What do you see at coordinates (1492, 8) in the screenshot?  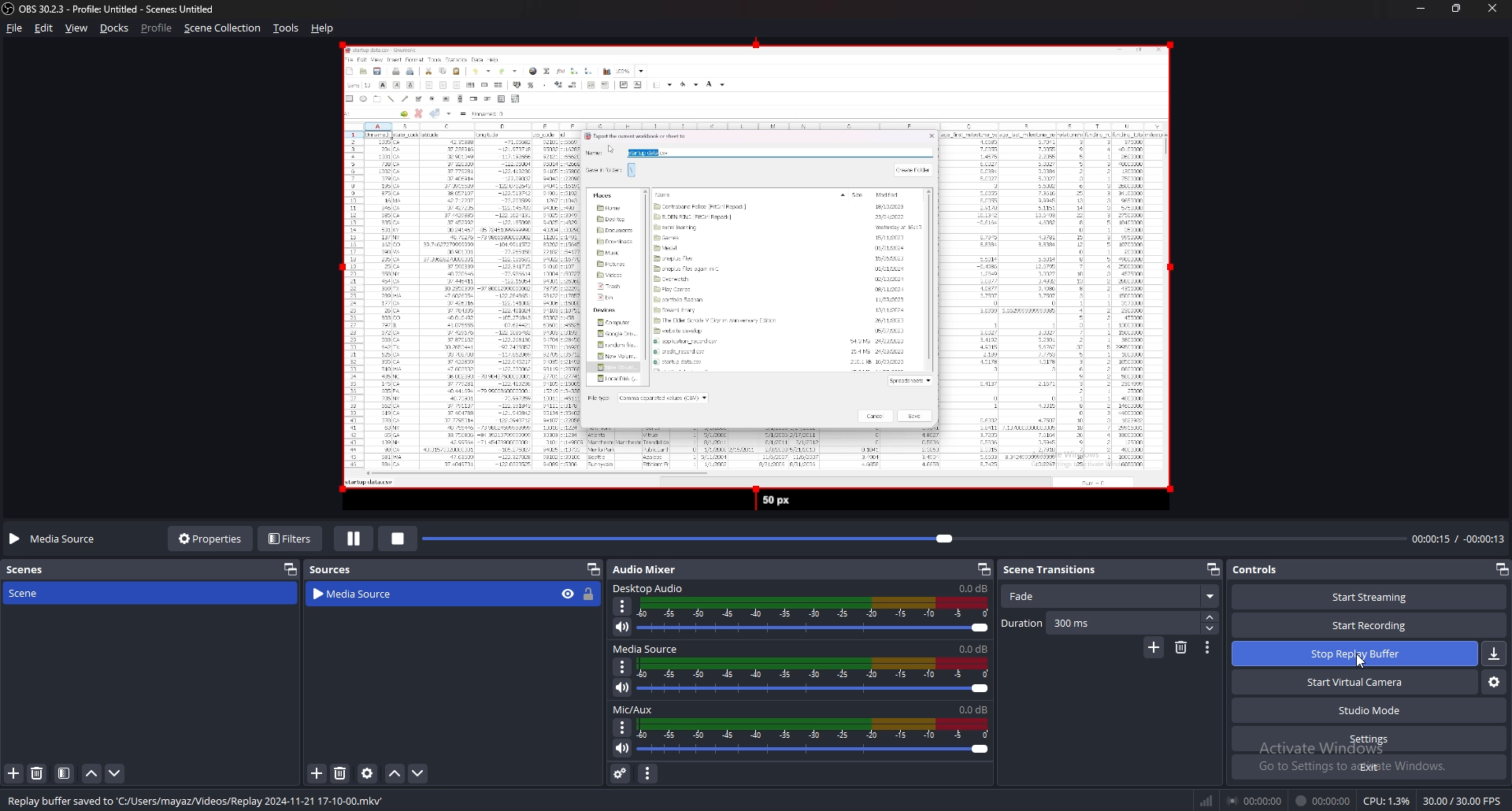 I see `close` at bounding box center [1492, 8].